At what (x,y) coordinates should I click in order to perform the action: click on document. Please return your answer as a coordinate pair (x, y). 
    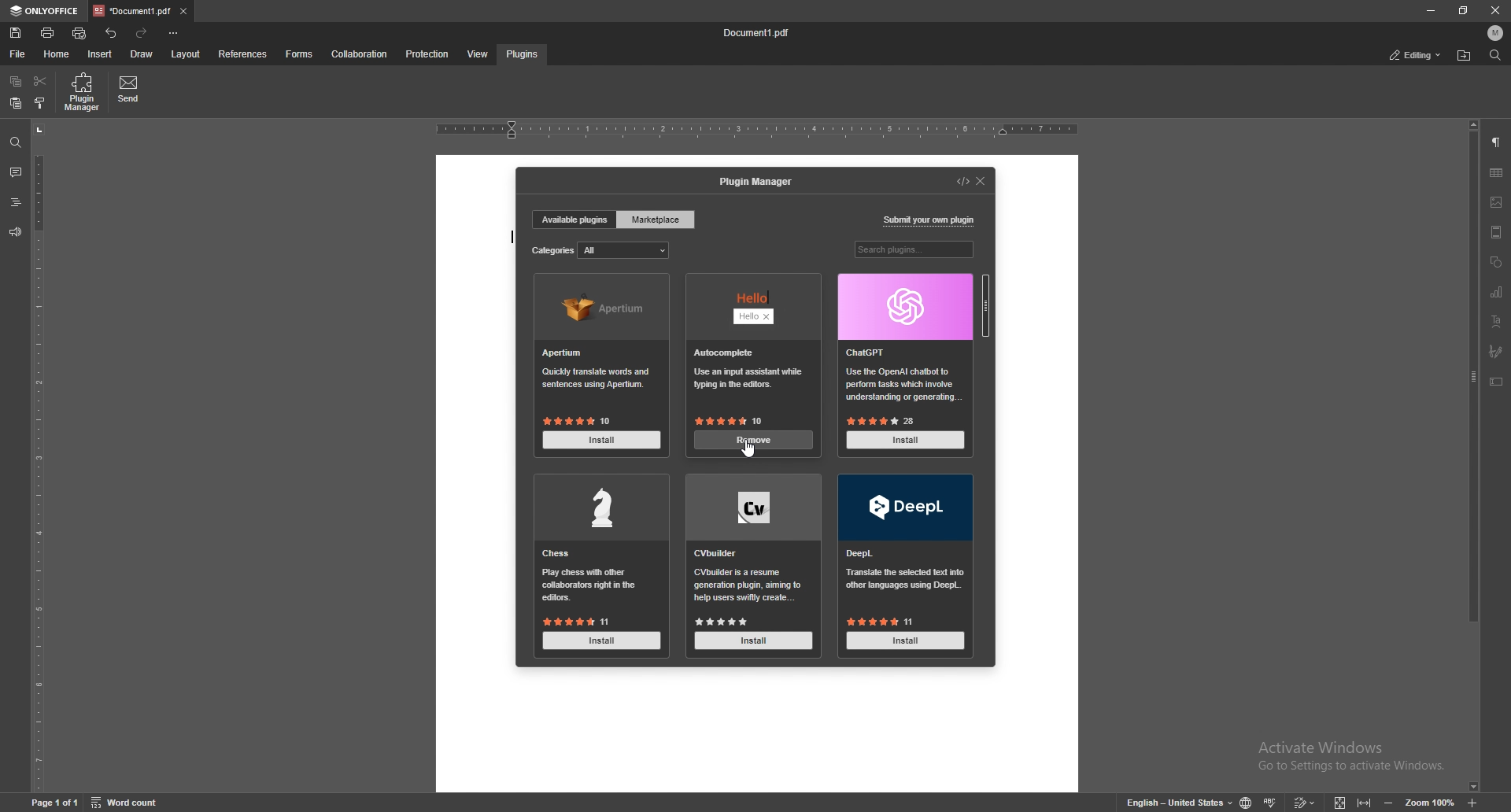
    Looking at the image, I should click on (799, 731).